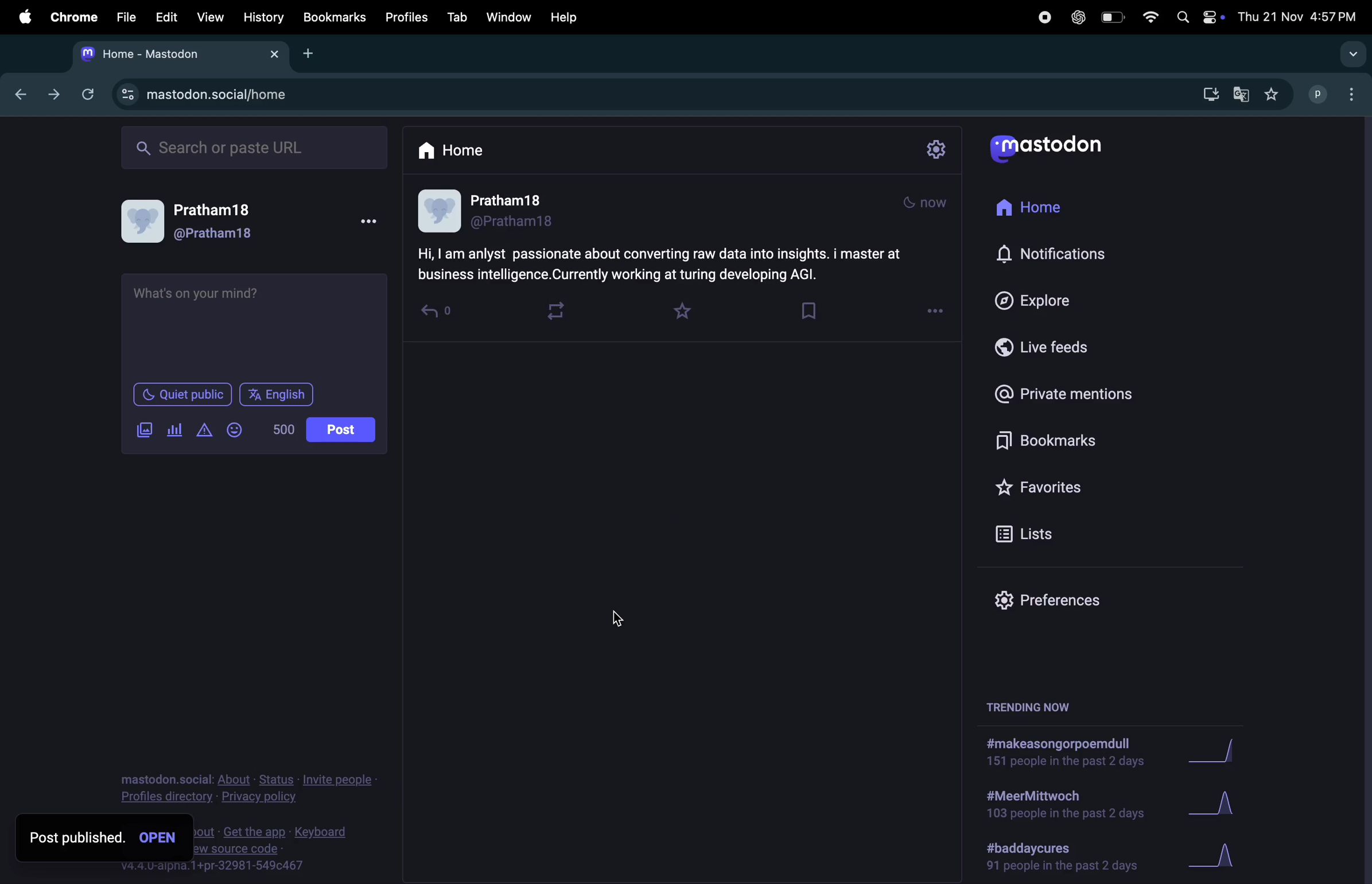 The width and height of the screenshot is (1372, 884). I want to click on private mentions, so click(1066, 397).